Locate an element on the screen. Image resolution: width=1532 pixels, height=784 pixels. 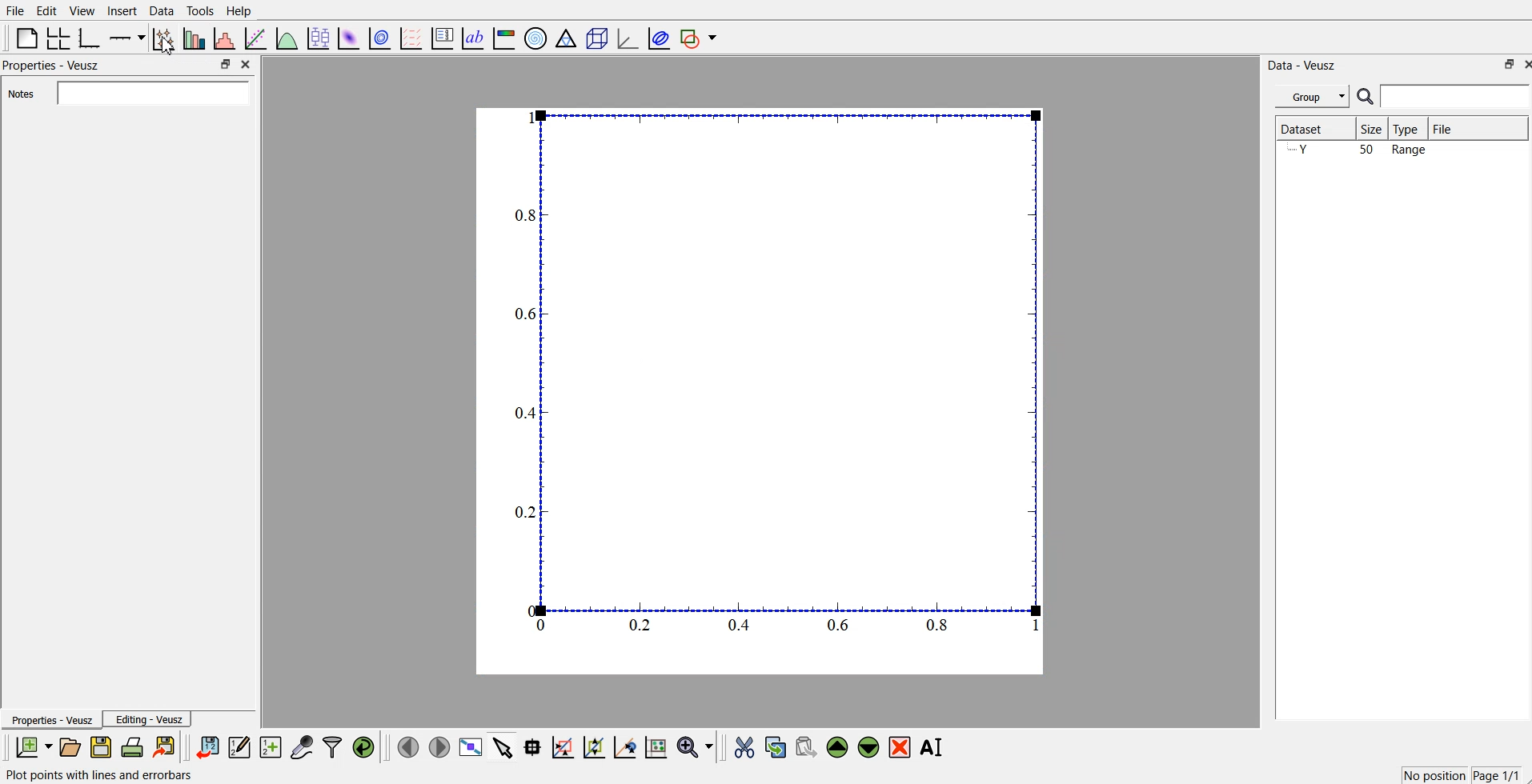
File is located at coordinates (16, 10).